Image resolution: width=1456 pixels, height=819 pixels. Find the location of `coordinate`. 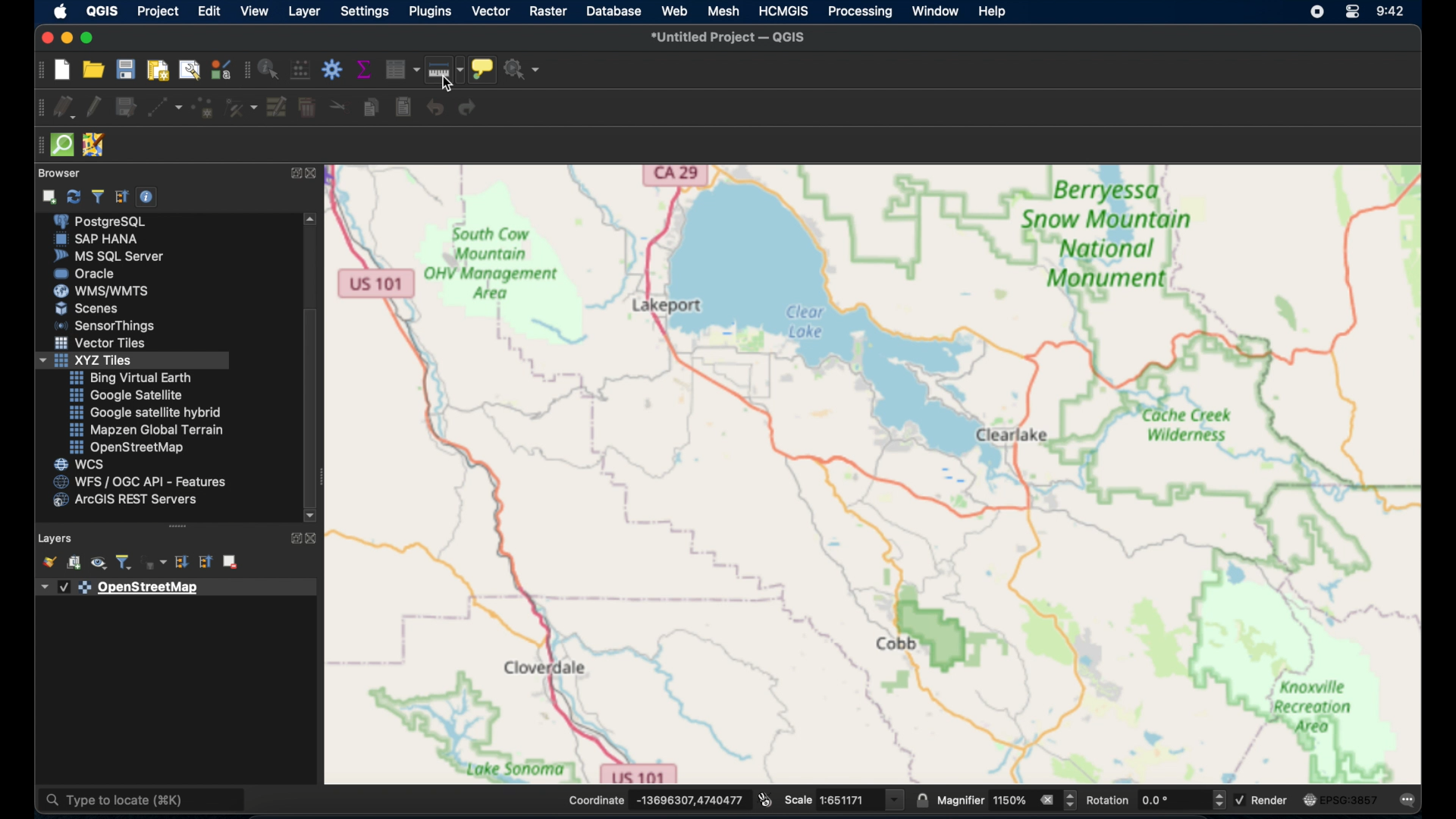

coordinate is located at coordinates (657, 799).